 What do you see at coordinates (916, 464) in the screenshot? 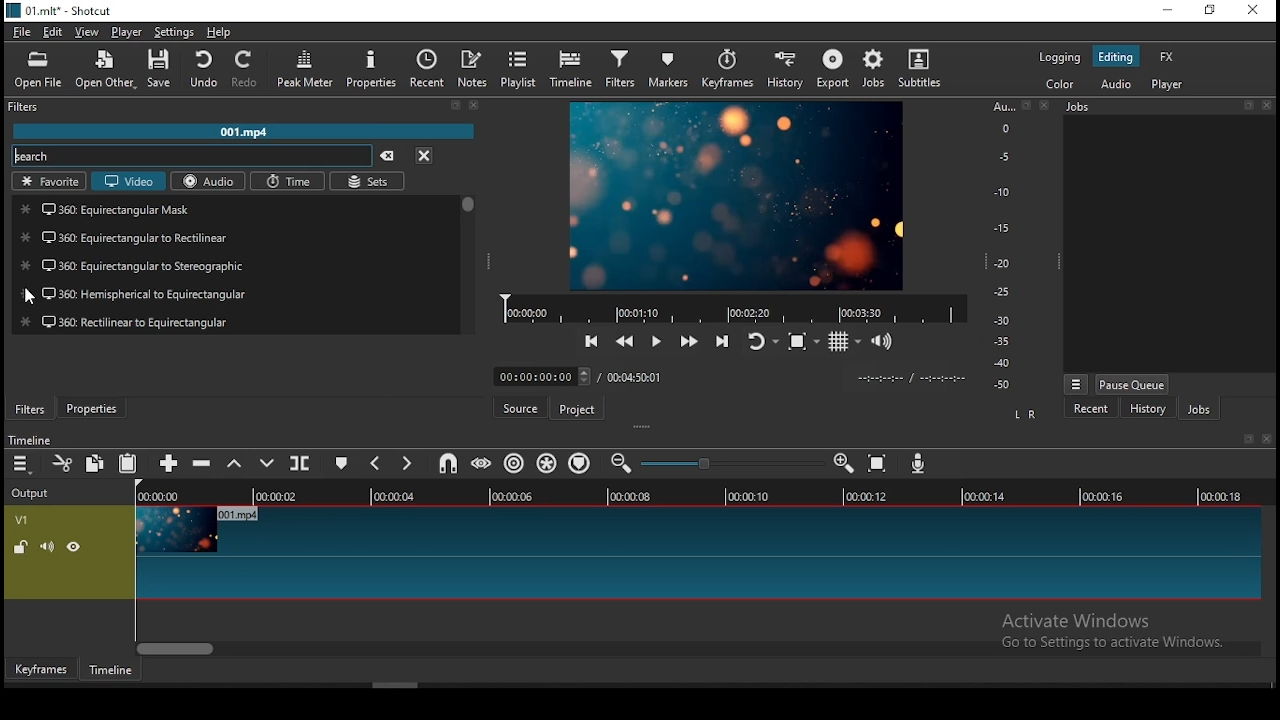
I see `record audio` at bounding box center [916, 464].